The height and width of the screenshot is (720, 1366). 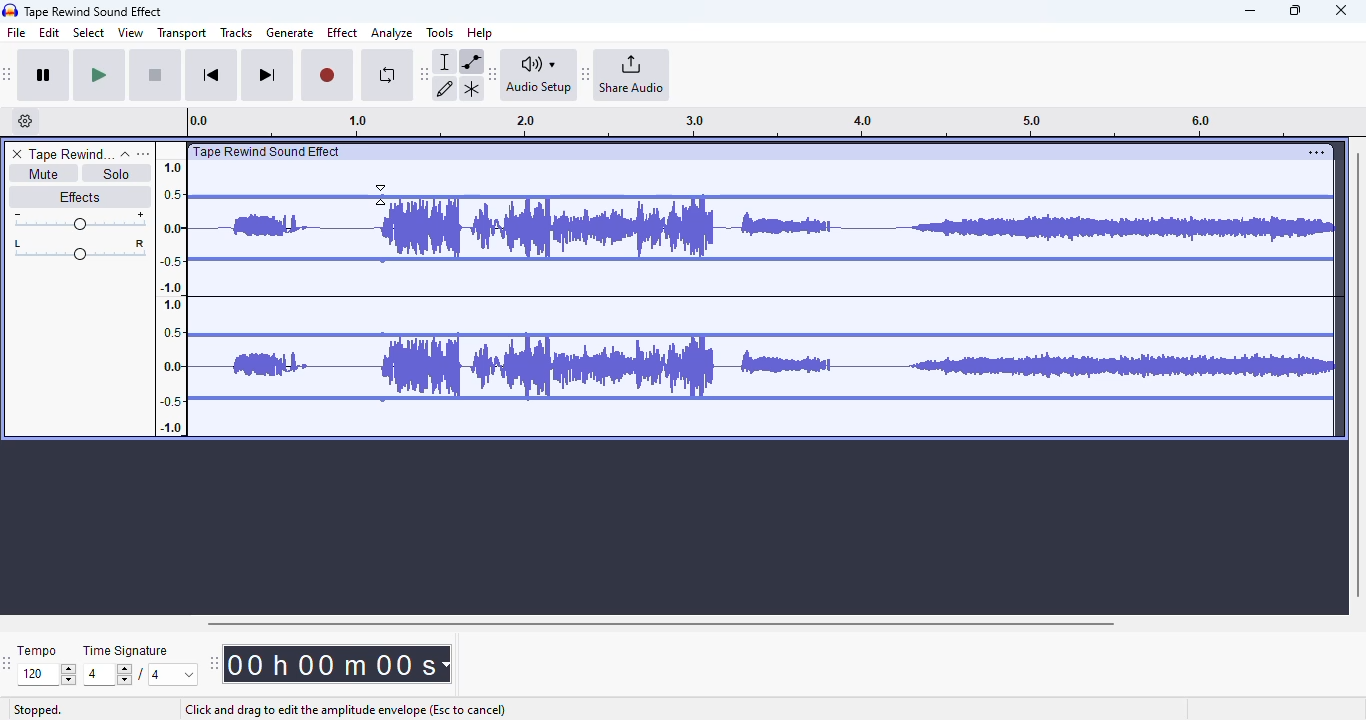 What do you see at coordinates (1357, 372) in the screenshot?
I see `vertical scroll bar` at bounding box center [1357, 372].